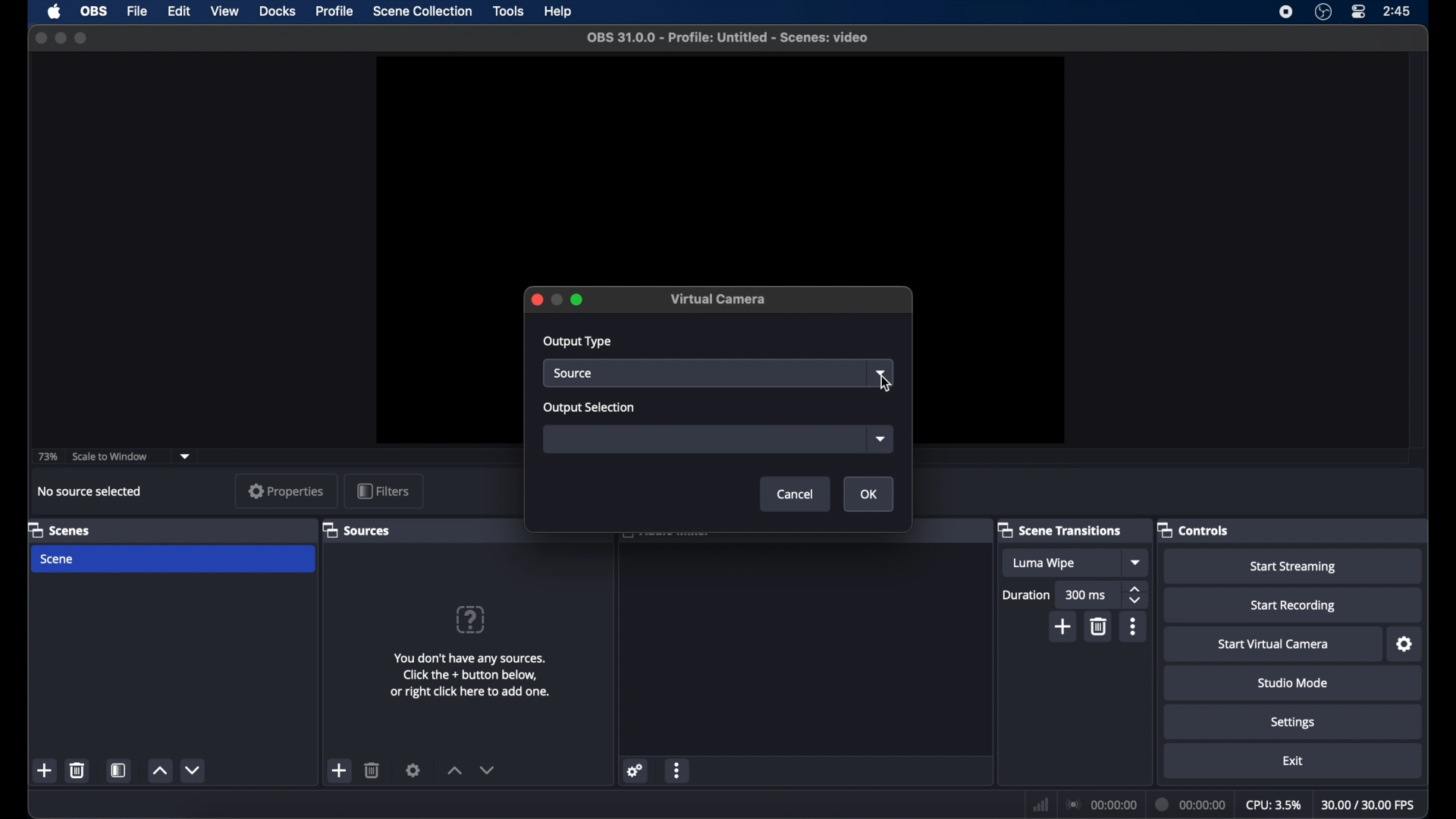 This screenshot has height=819, width=1456. What do you see at coordinates (1360, 12) in the screenshot?
I see `control center` at bounding box center [1360, 12].